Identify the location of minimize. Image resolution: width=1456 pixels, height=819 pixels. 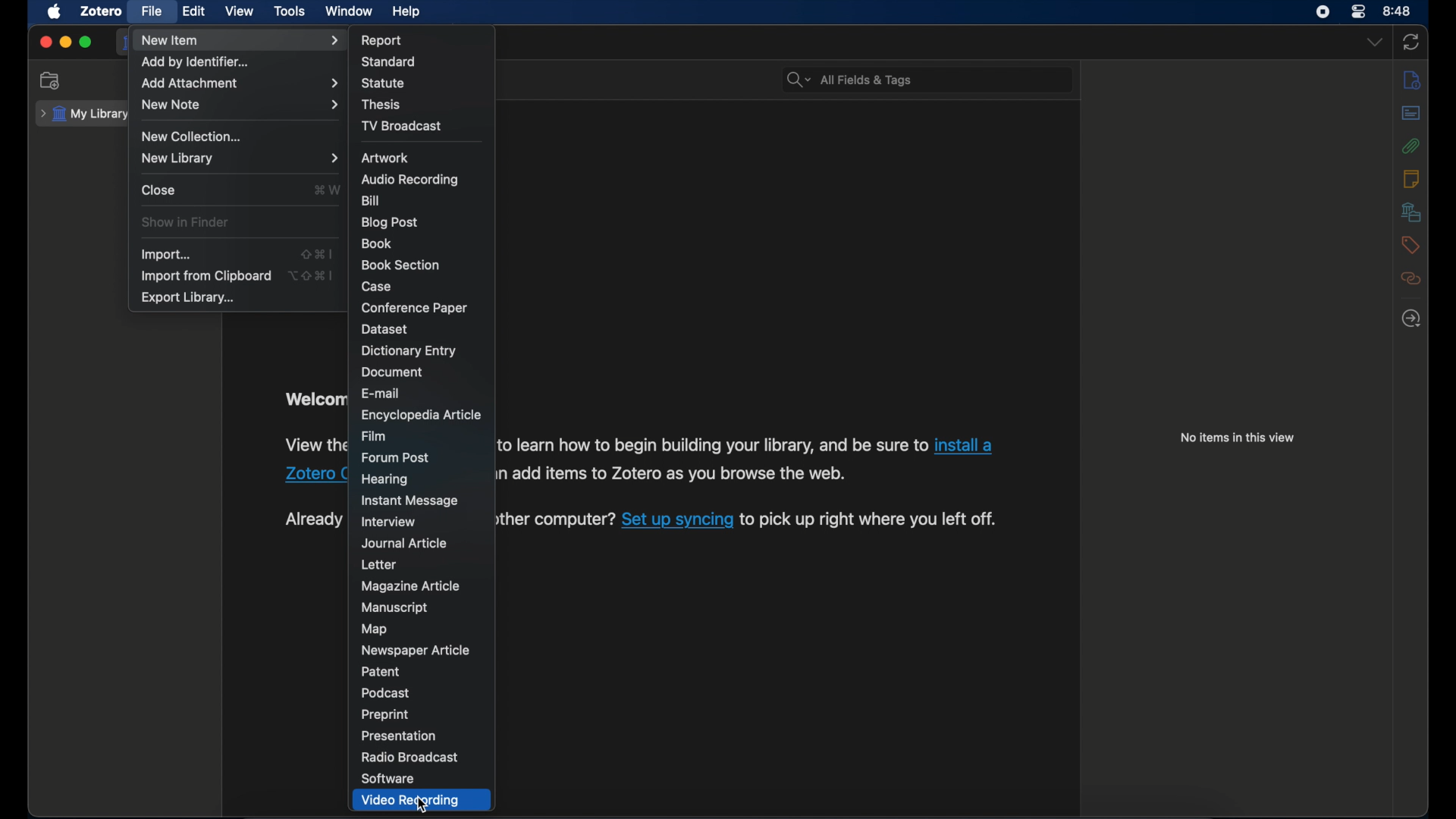
(65, 42).